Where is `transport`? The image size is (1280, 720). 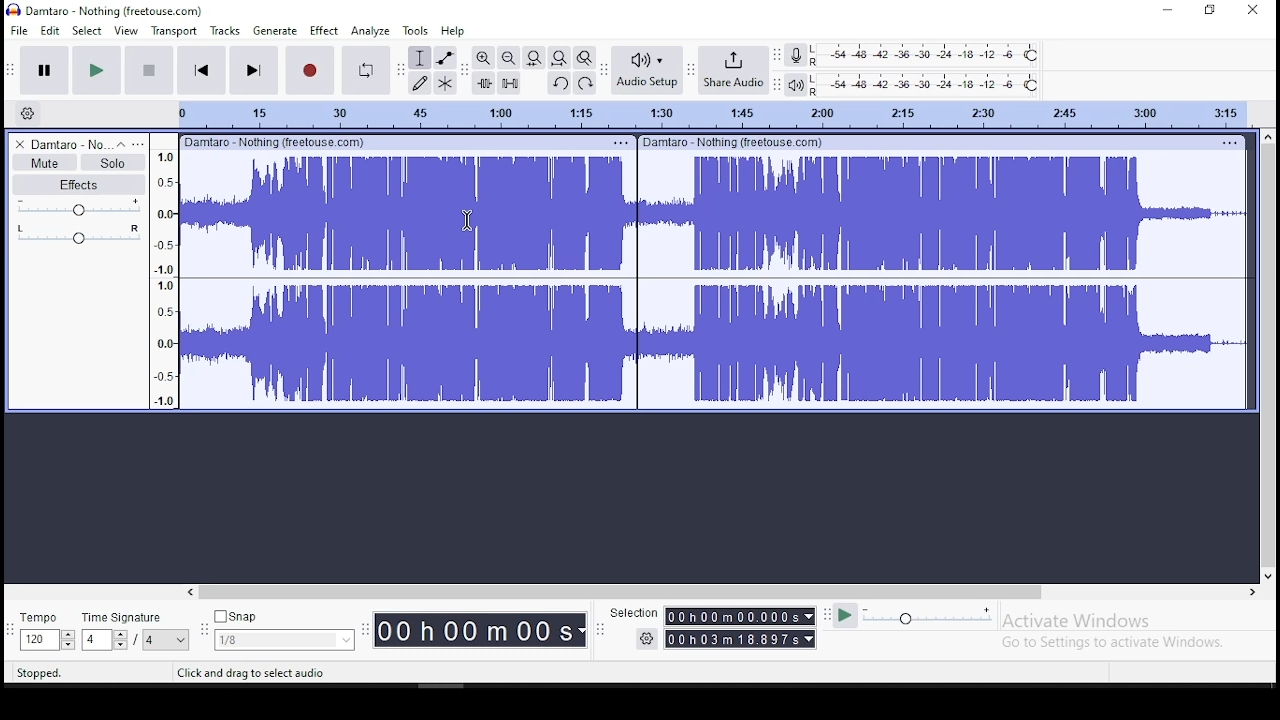
transport is located at coordinates (173, 30).